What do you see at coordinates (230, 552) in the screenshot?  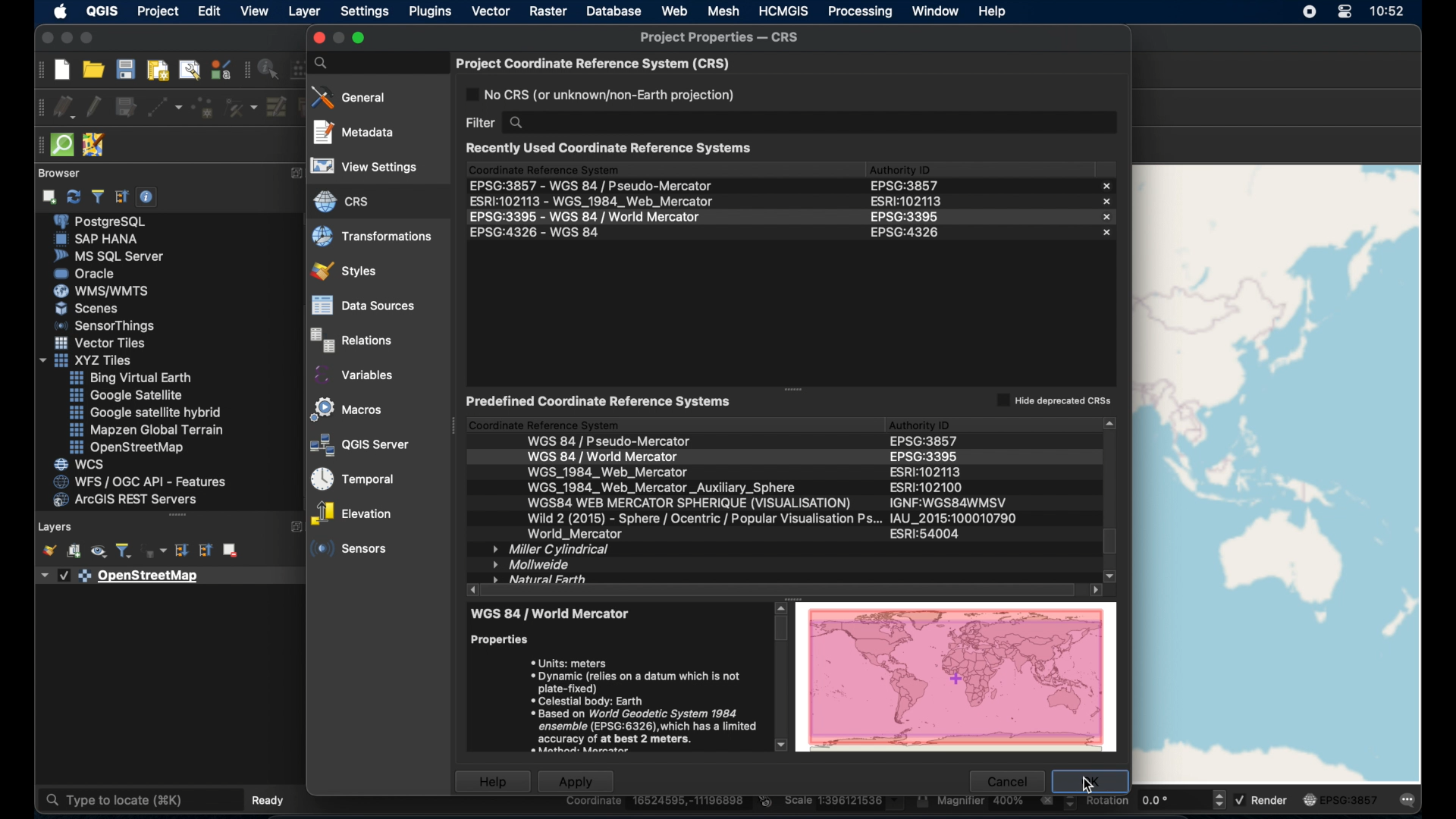 I see `remove layer group` at bounding box center [230, 552].